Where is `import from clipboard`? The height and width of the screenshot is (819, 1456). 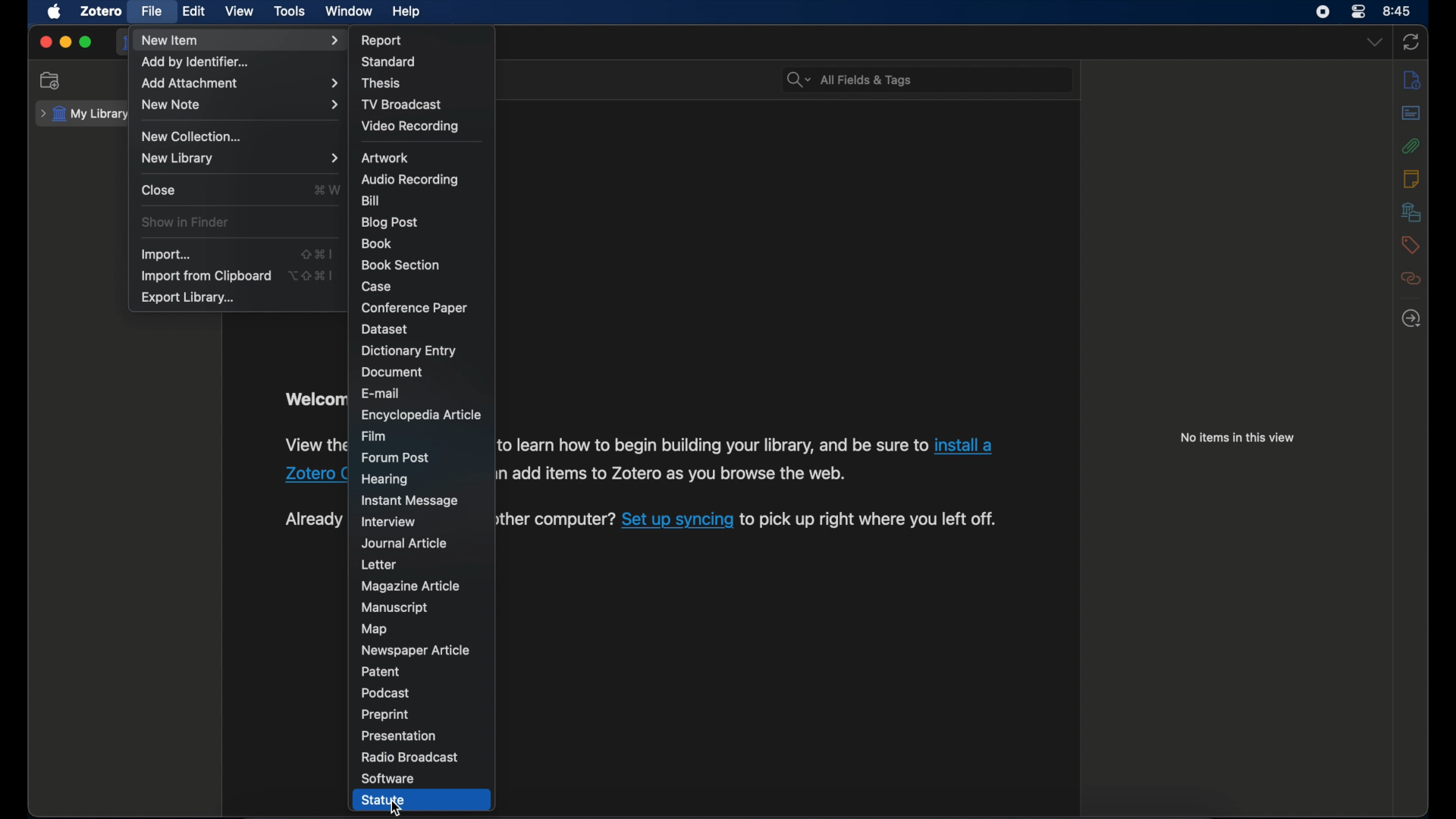
import from clipboard is located at coordinates (206, 276).